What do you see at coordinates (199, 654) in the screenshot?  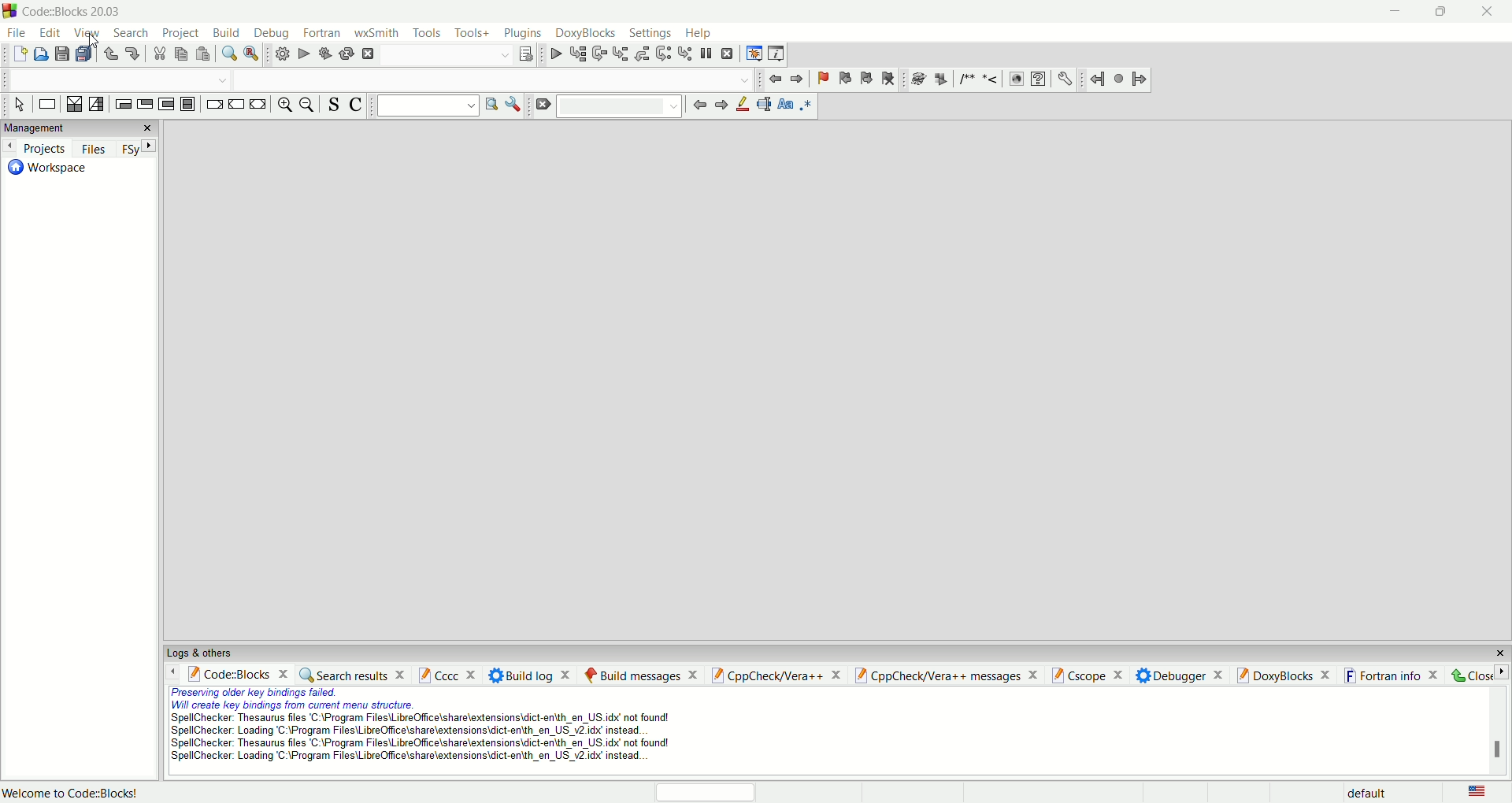 I see `logs and others` at bounding box center [199, 654].